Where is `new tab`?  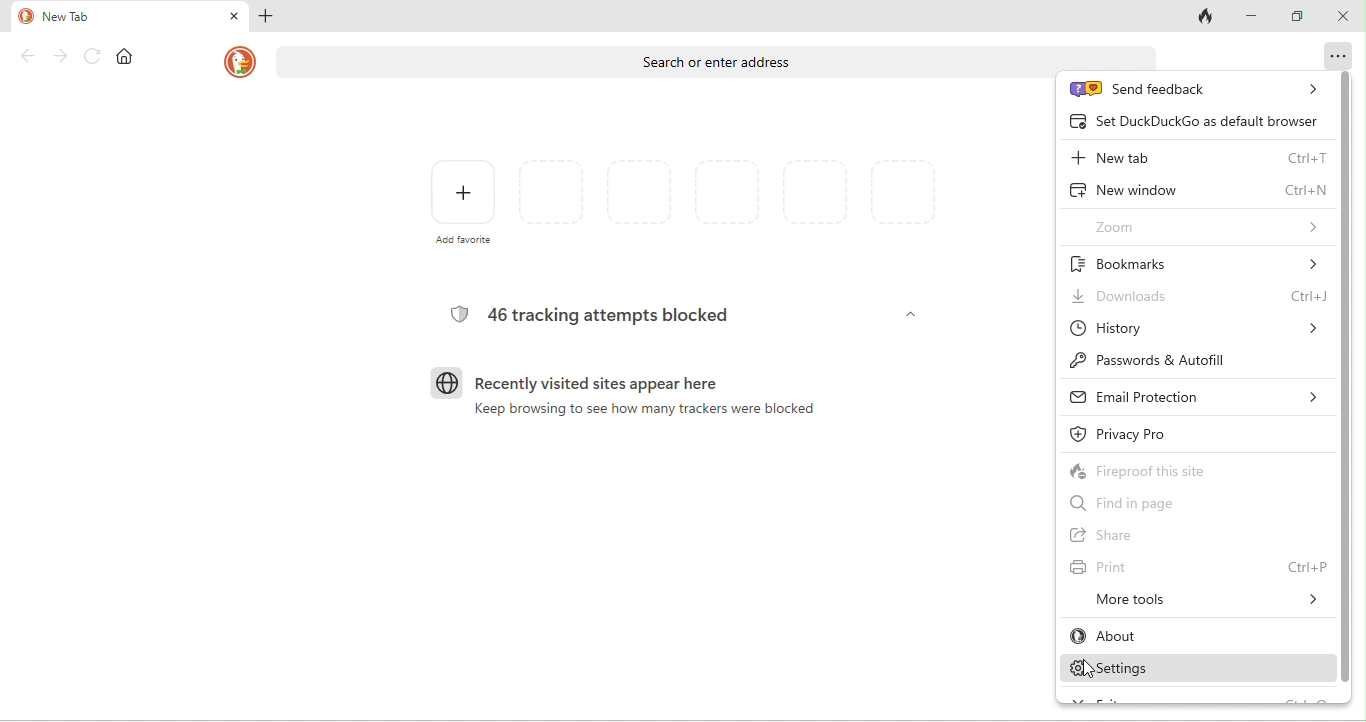 new tab is located at coordinates (129, 22).